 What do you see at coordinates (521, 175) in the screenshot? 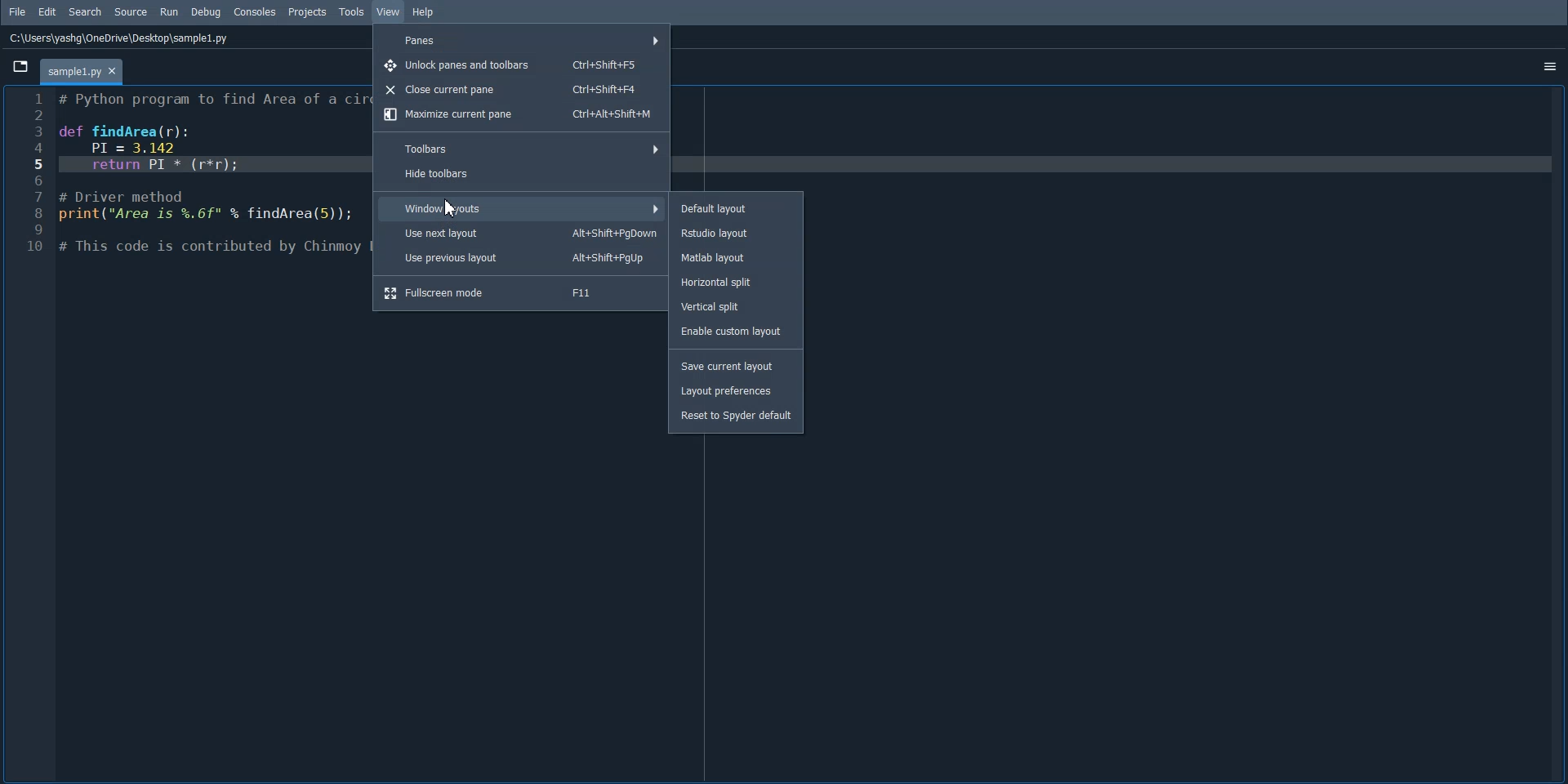
I see `Hide toolbars` at bounding box center [521, 175].